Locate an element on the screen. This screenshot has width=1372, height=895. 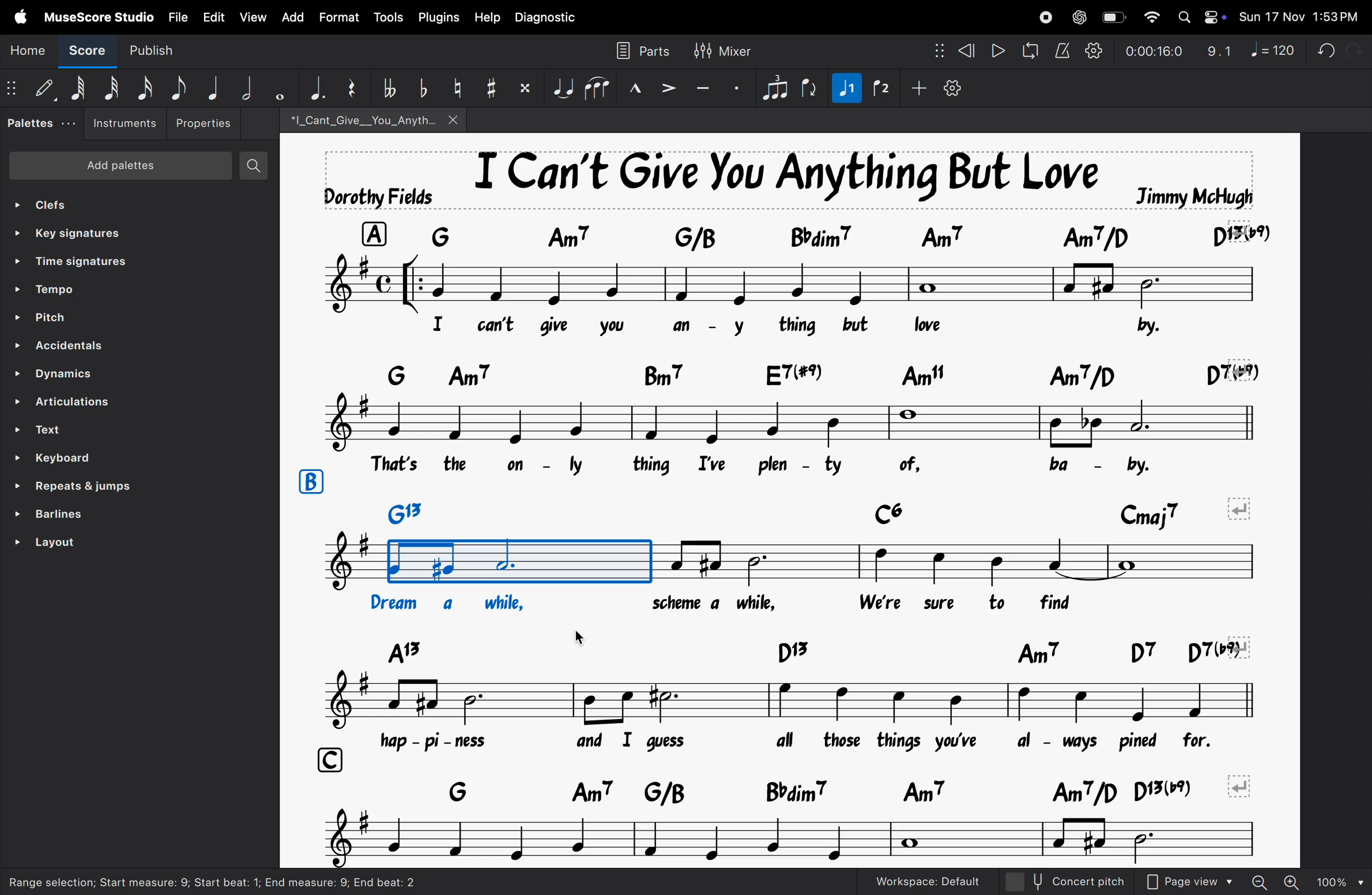
chatgpt is located at coordinates (1080, 17).